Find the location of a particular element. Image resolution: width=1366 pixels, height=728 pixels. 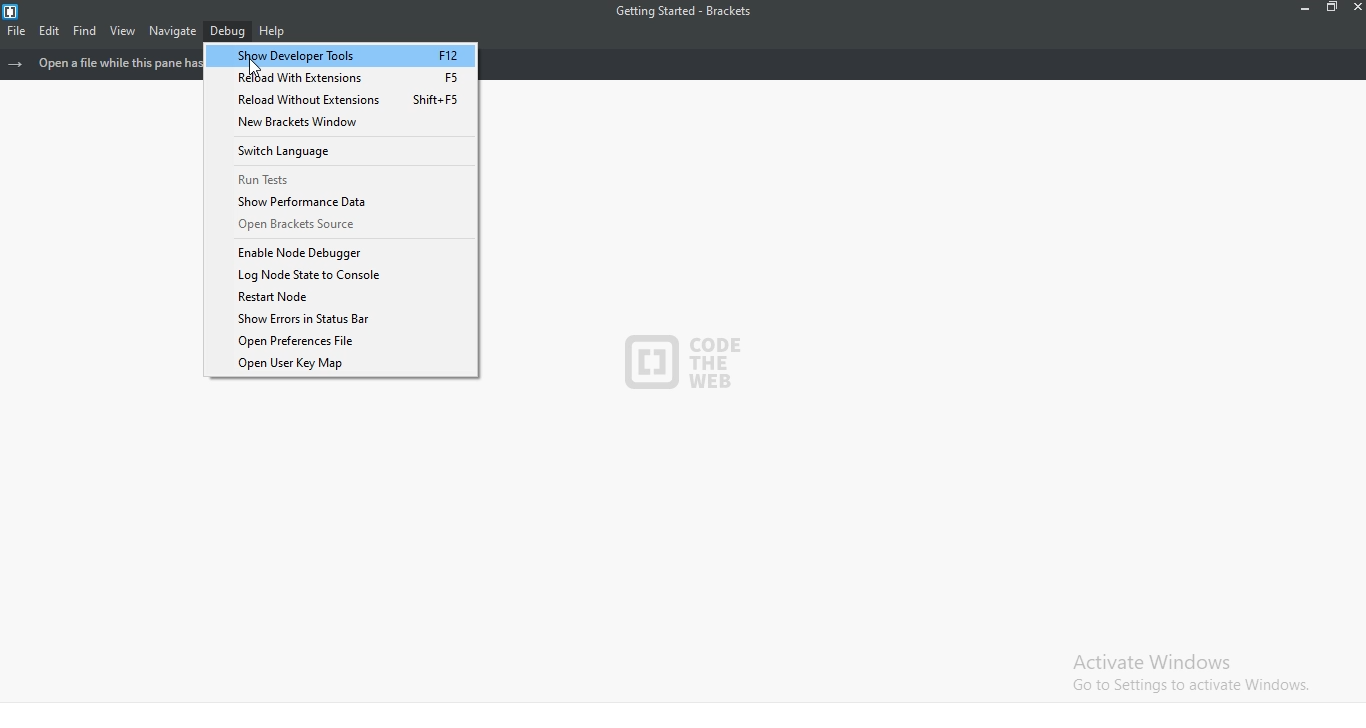

Reload Without Extensions is located at coordinates (334, 100).